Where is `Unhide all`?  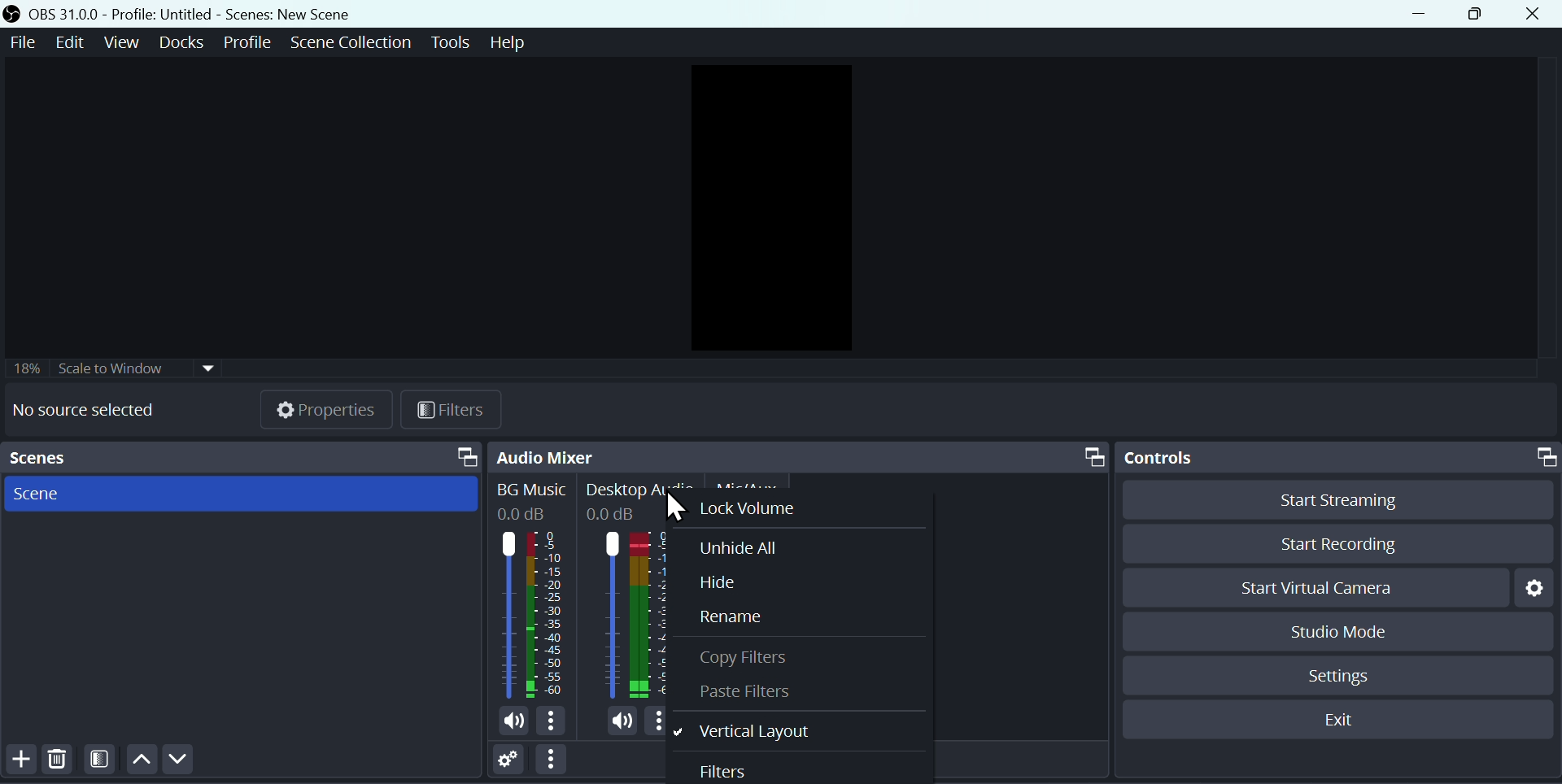
Unhide all is located at coordinates (736, 547).